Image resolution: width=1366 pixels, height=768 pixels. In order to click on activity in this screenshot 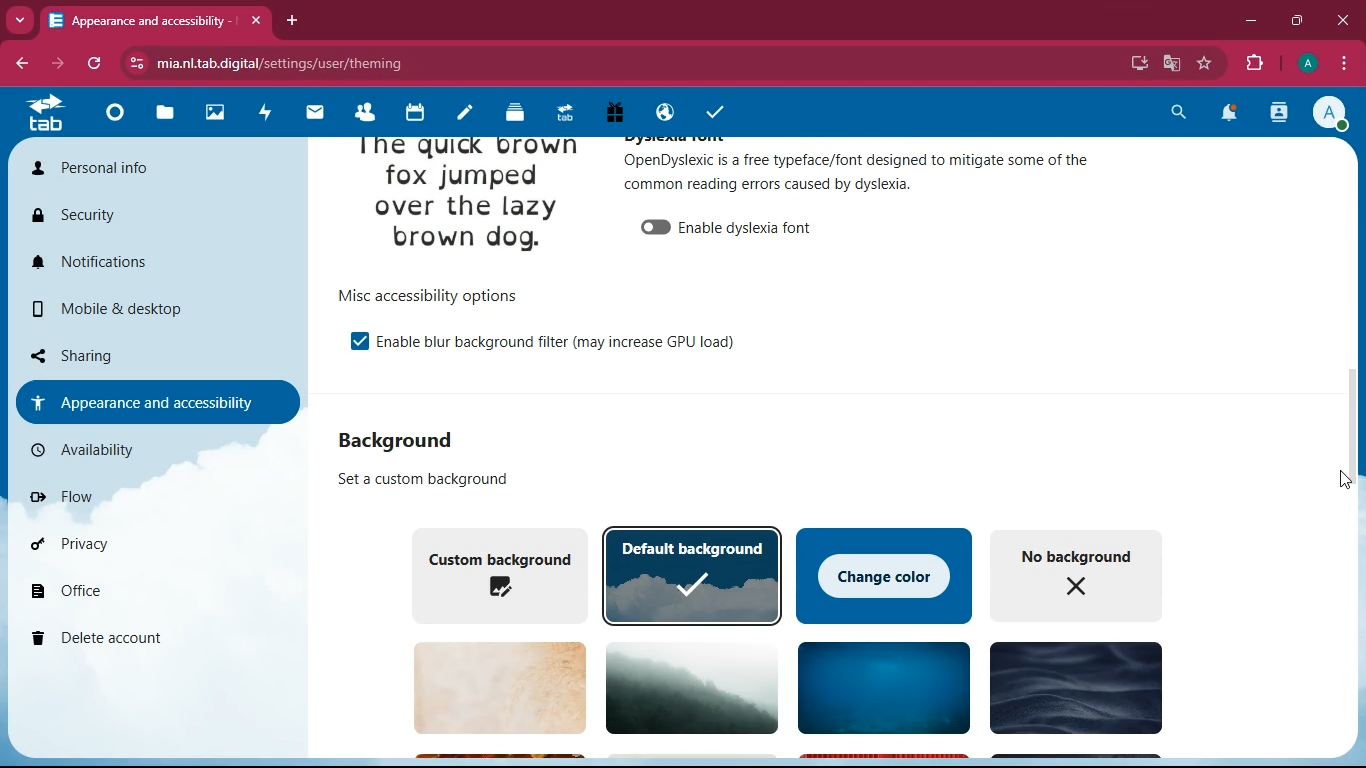, I will do `click(1280, 113)`.